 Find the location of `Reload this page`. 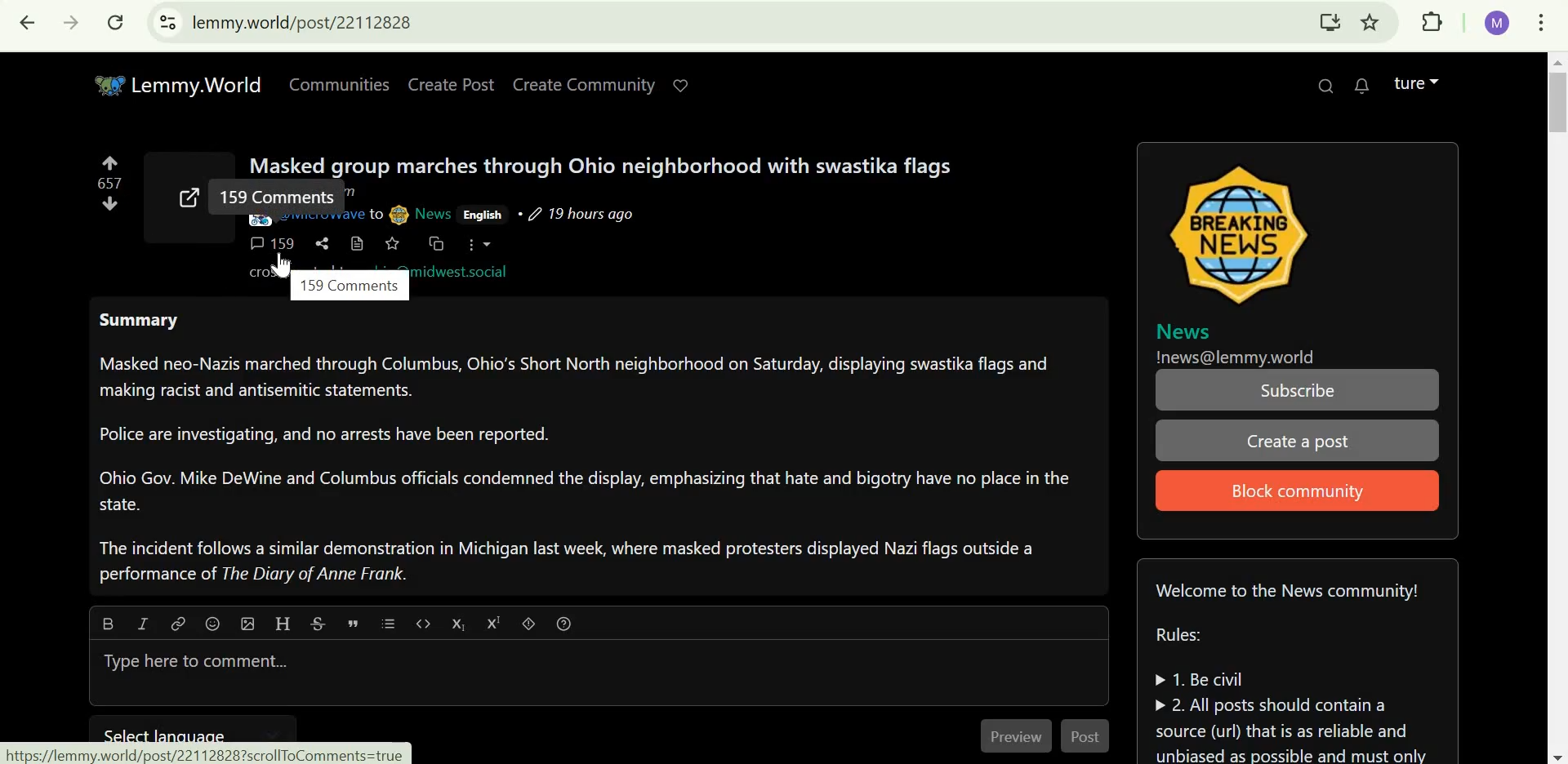

Reload this page is located at coordinates (118, 22).